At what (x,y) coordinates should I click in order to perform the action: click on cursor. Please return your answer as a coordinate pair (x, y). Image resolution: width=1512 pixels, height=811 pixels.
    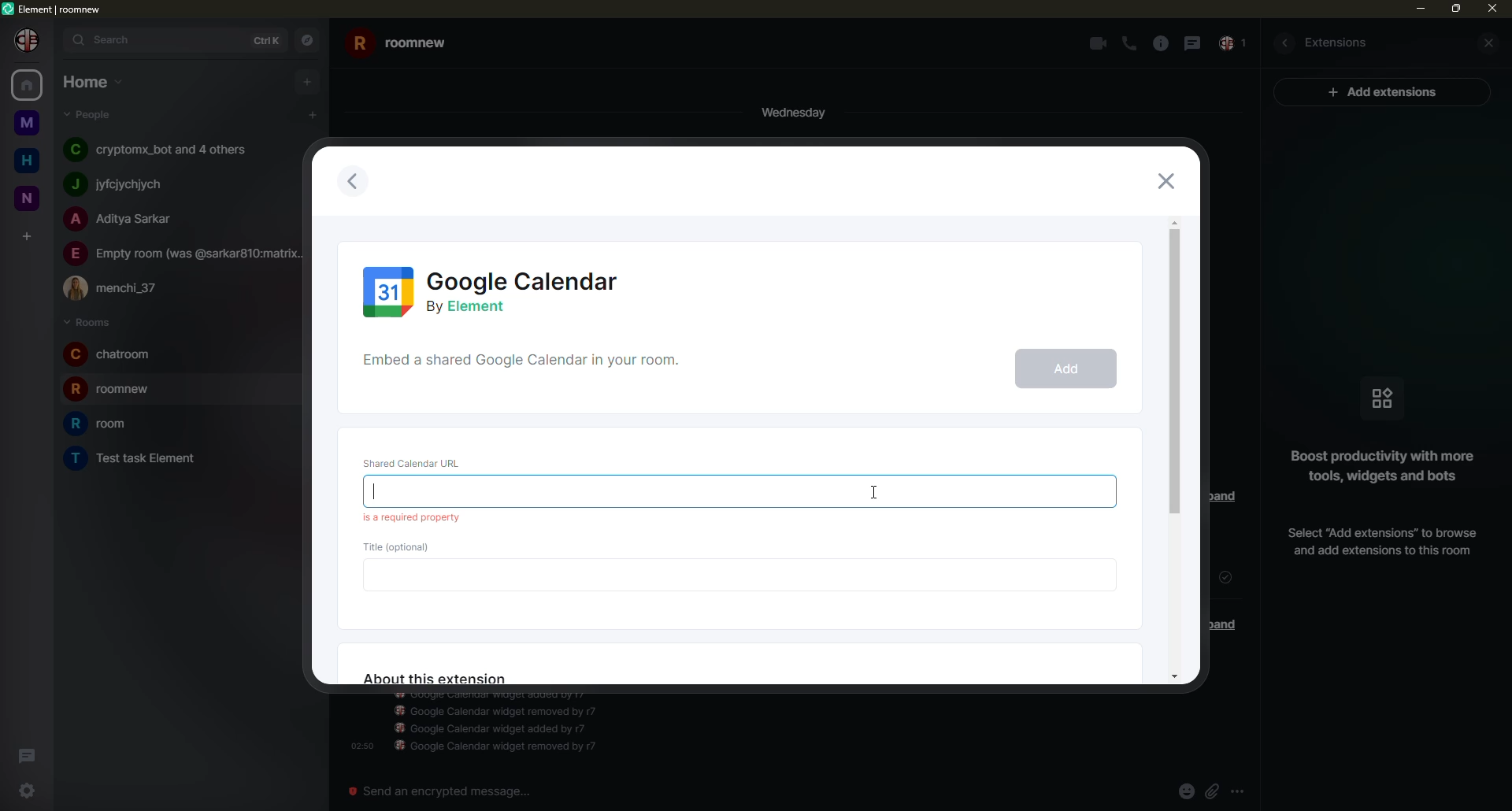
    Looking at the image, I should click on (875, 482).